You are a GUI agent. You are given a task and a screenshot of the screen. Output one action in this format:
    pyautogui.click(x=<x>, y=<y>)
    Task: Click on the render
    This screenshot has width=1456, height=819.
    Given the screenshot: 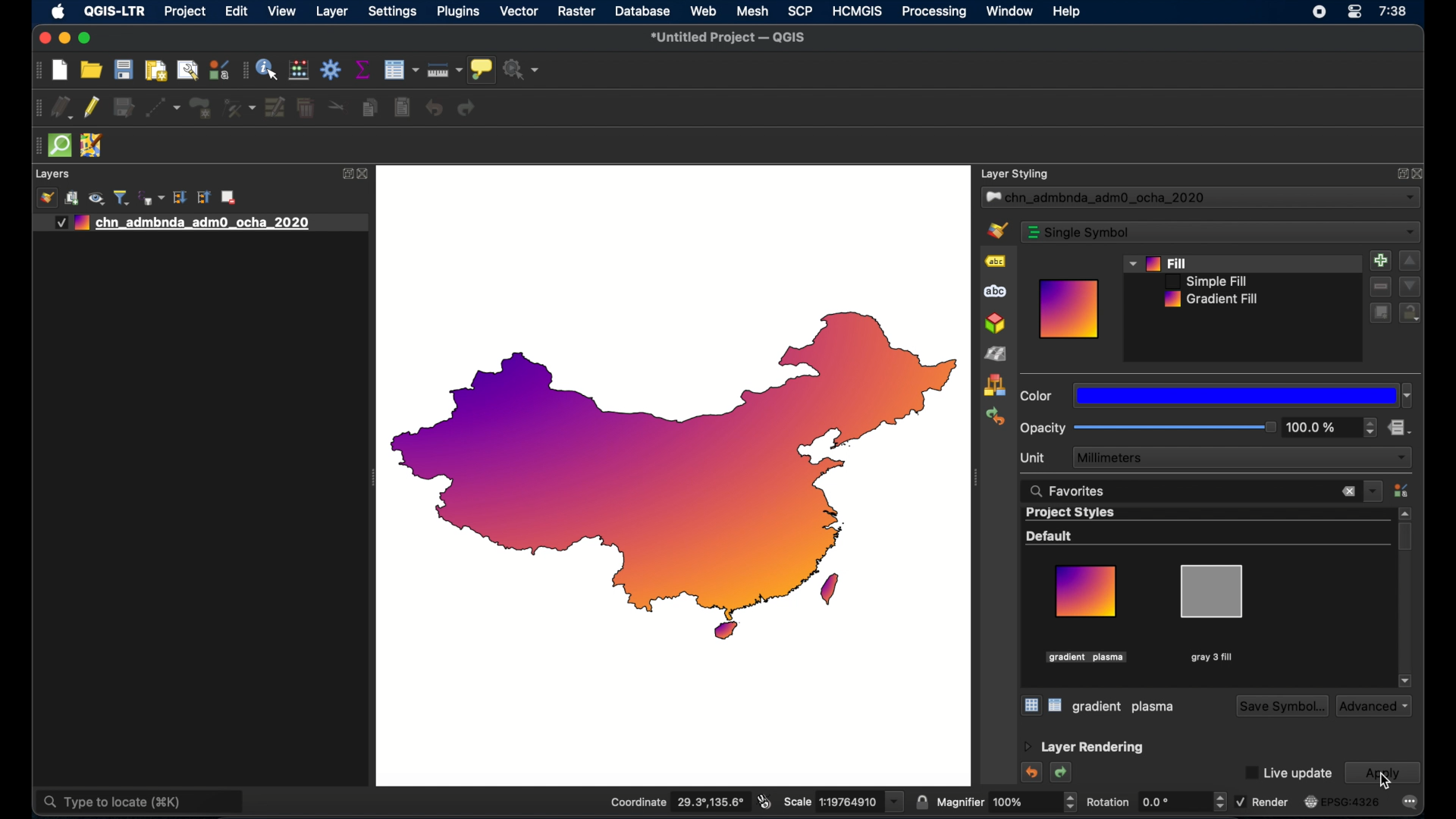 What is the action you would take?
    pyautogui.click(x=1263, y=802)
    